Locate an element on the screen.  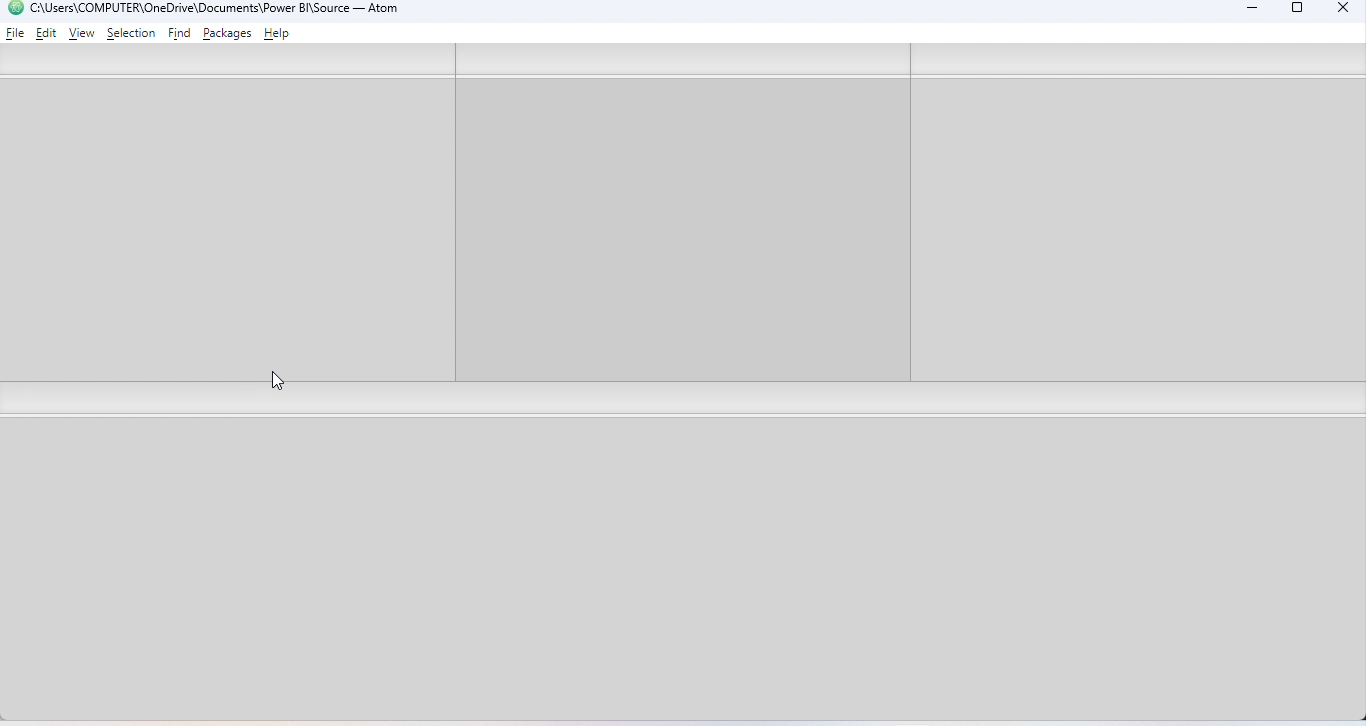
Selection is located at coordinates (131, 33).